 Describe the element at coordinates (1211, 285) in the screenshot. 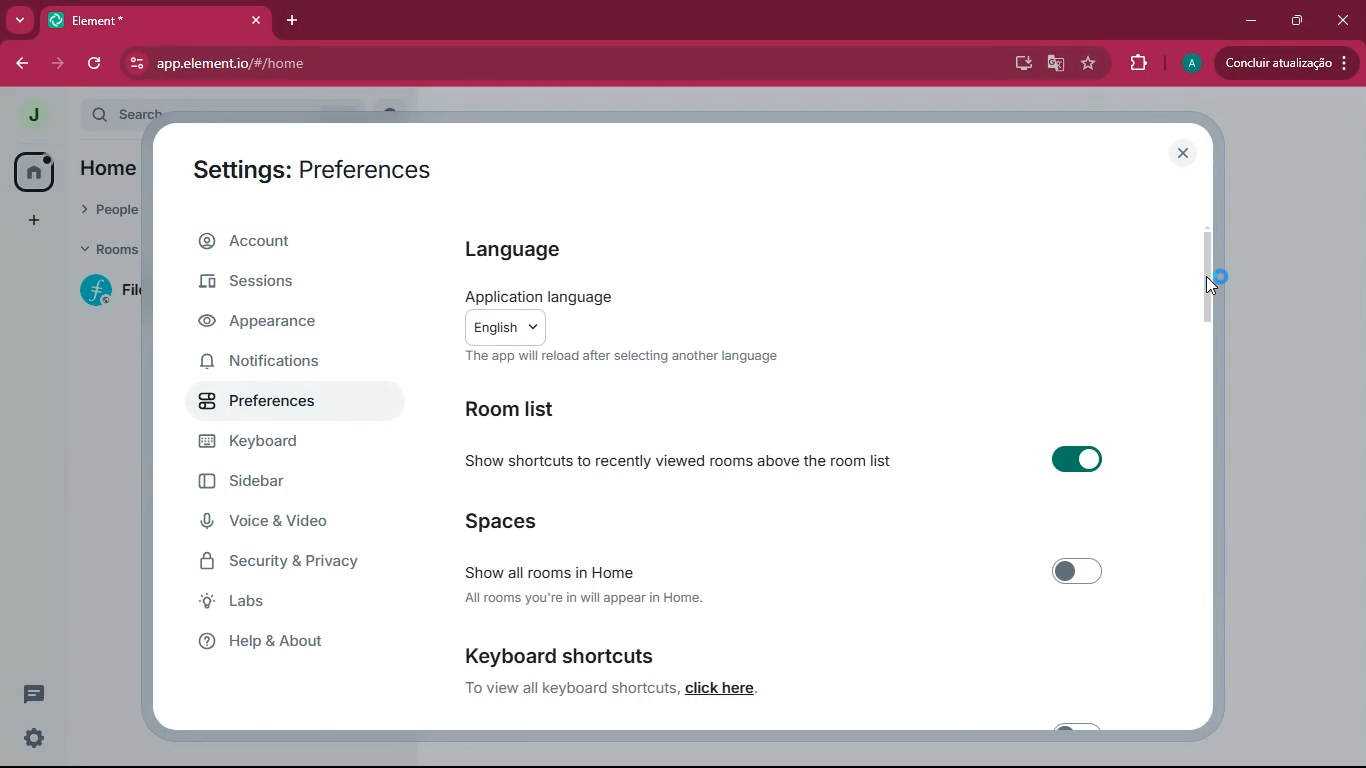

I see `Cursor` at that location.